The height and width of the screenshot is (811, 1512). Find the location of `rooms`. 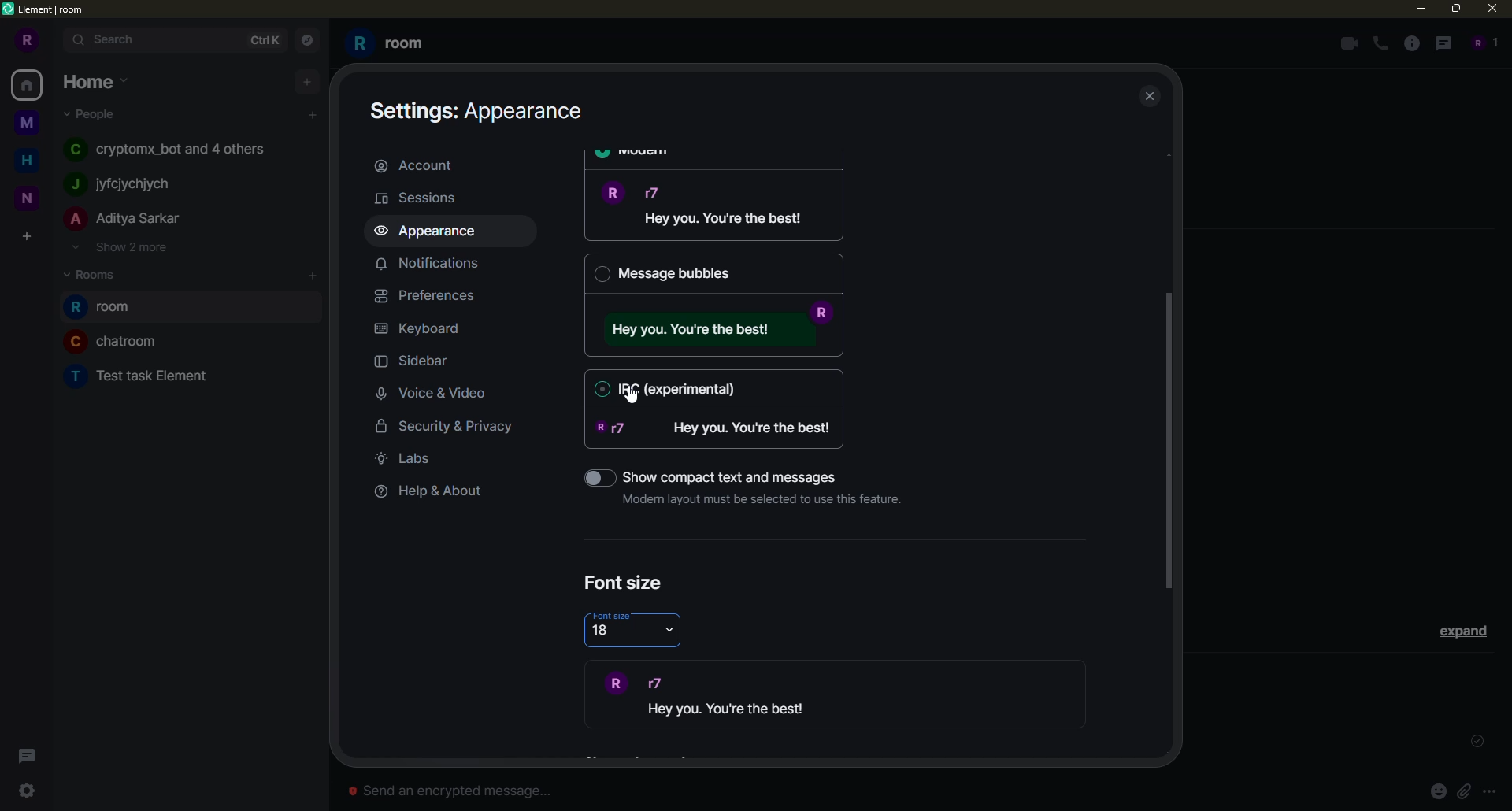

rooms is located at coordinates (94, 273).